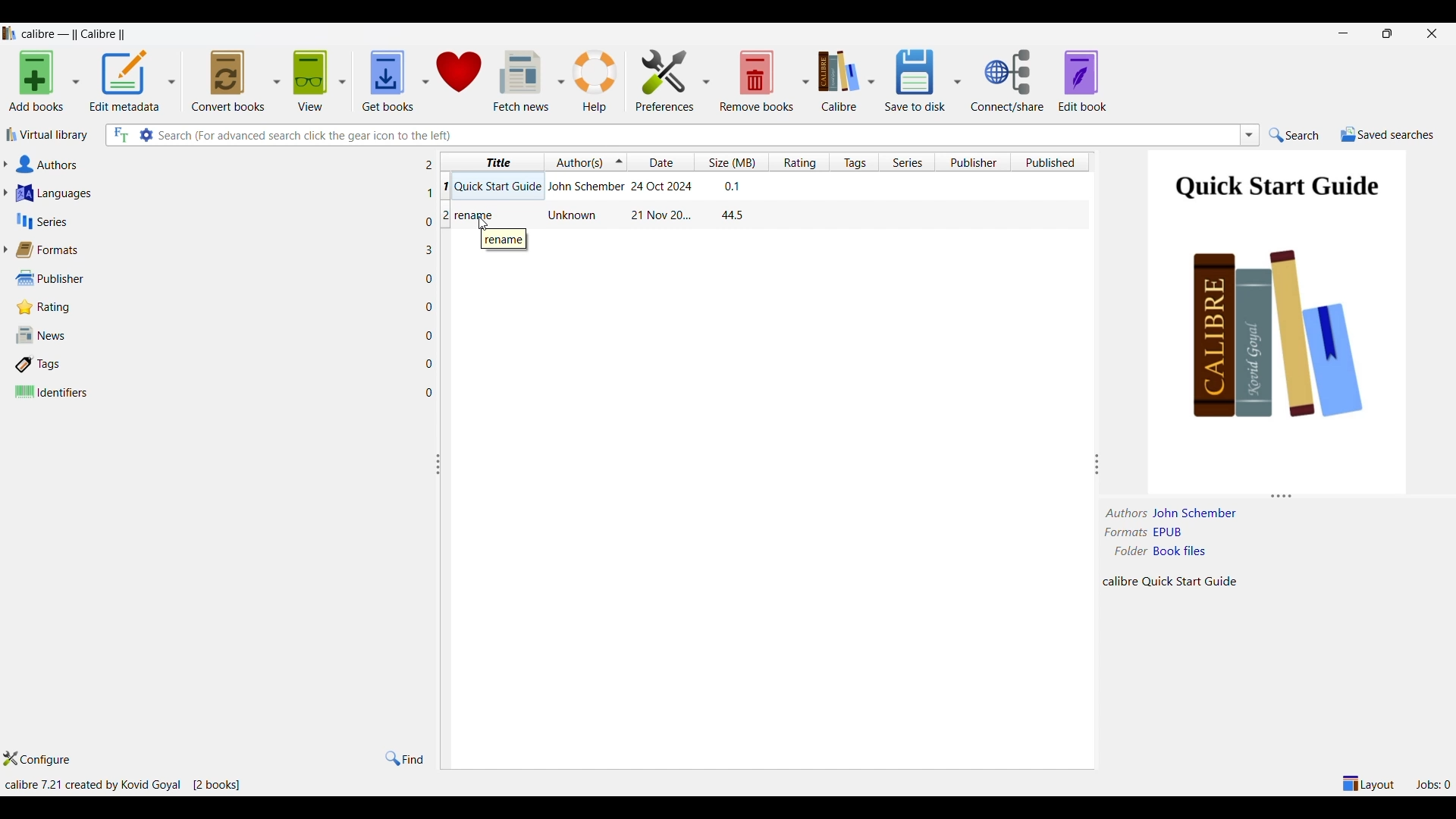 Image resolution: width=1456 pixels, height=819 pixels. I want to click on Publisher, so click(215, 278).